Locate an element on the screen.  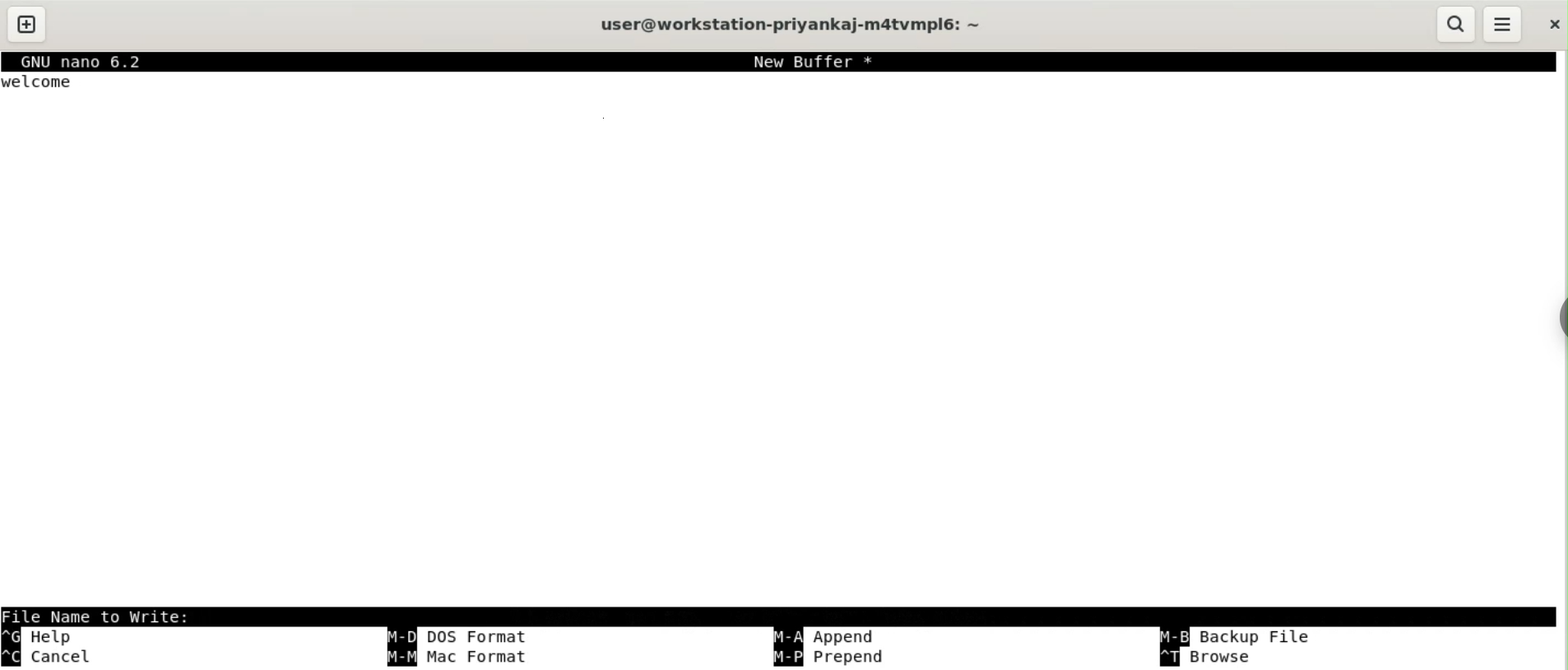
cancel is located at coordinates (44, 656).